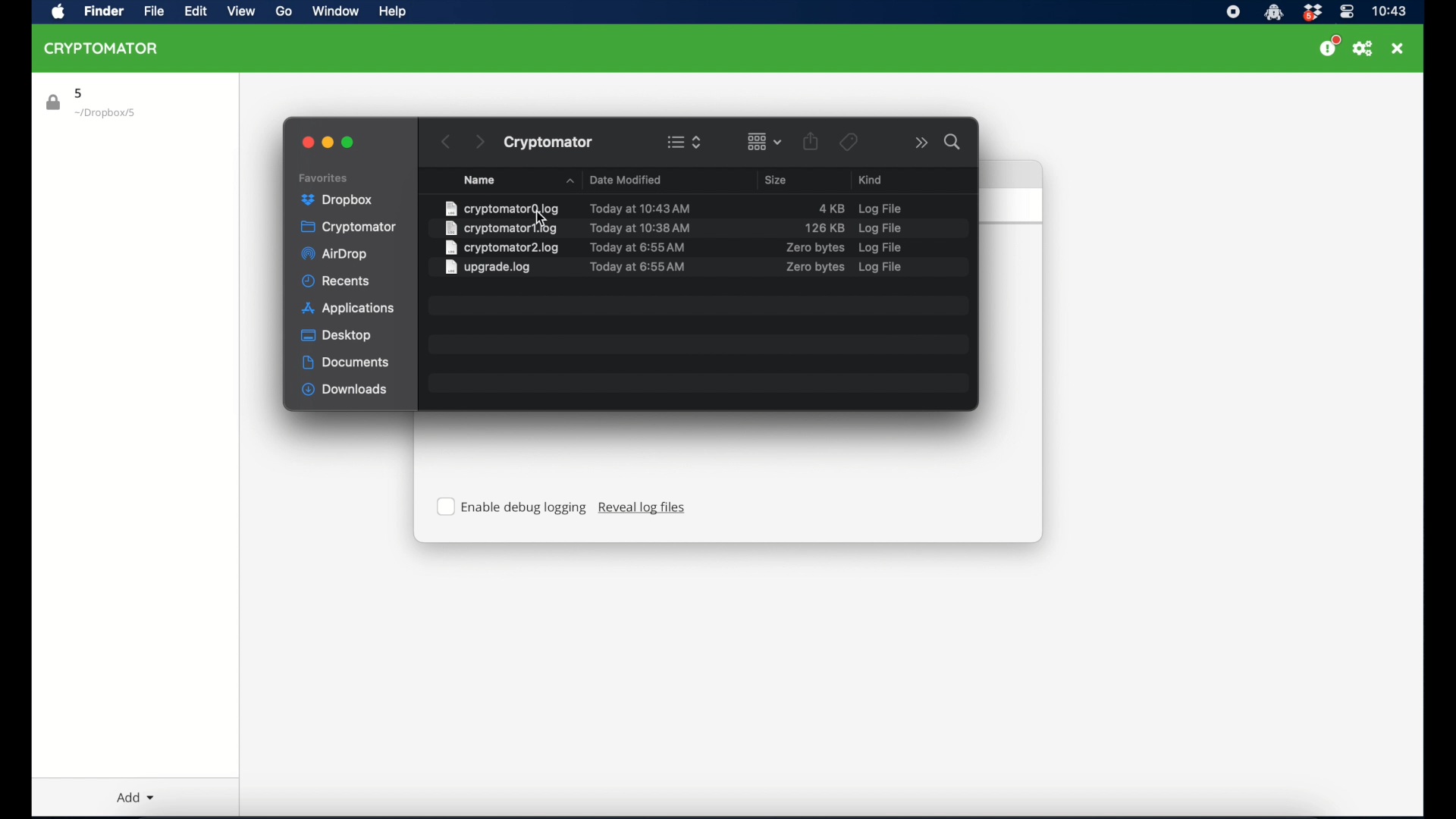  I want to click on location, so click(106, 114).